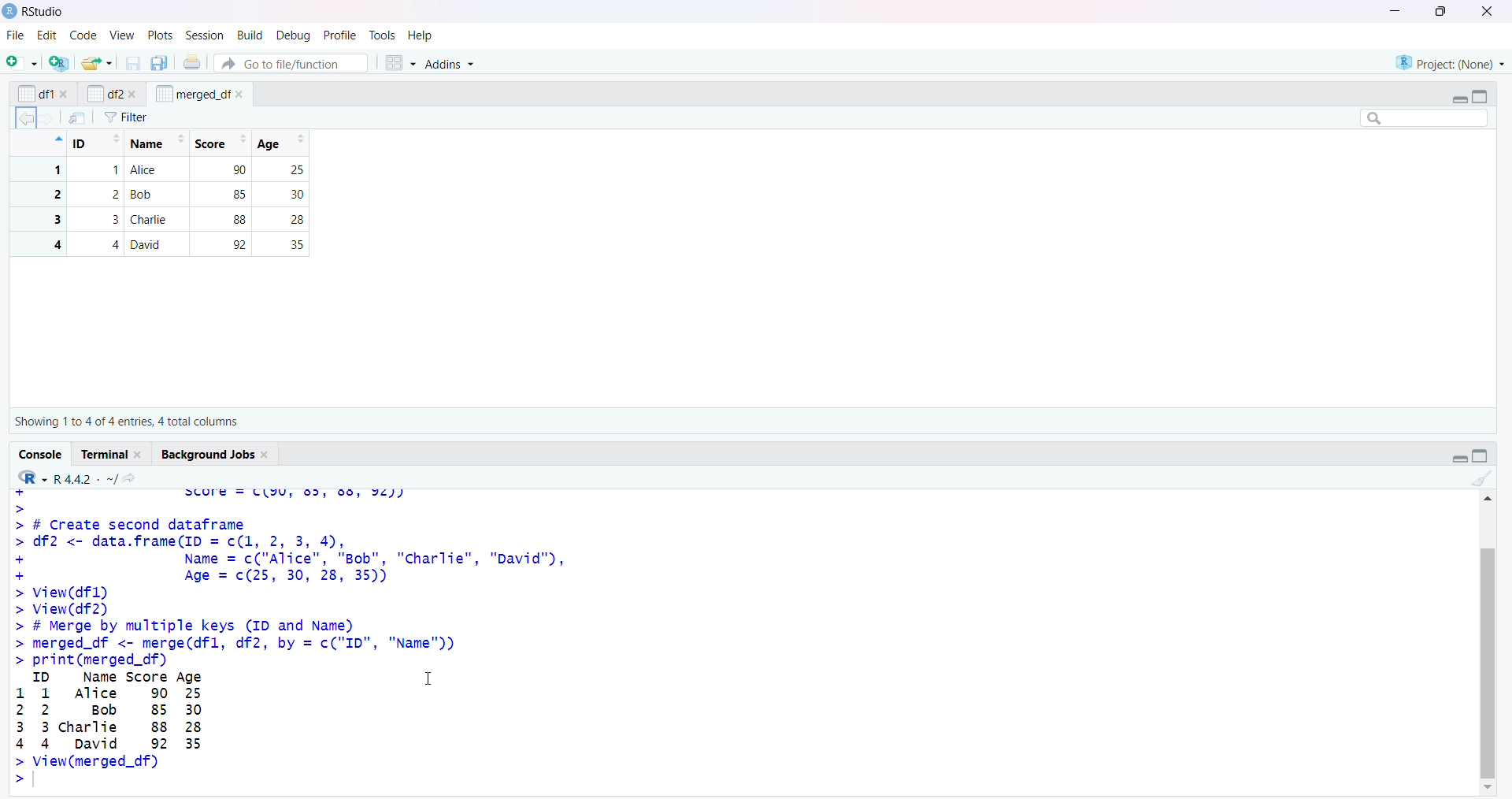 The image size is (1512, 799). What do you see at coordinates (140, 455) in the screenshot?
I see `close` at bounding box center [140, 455].